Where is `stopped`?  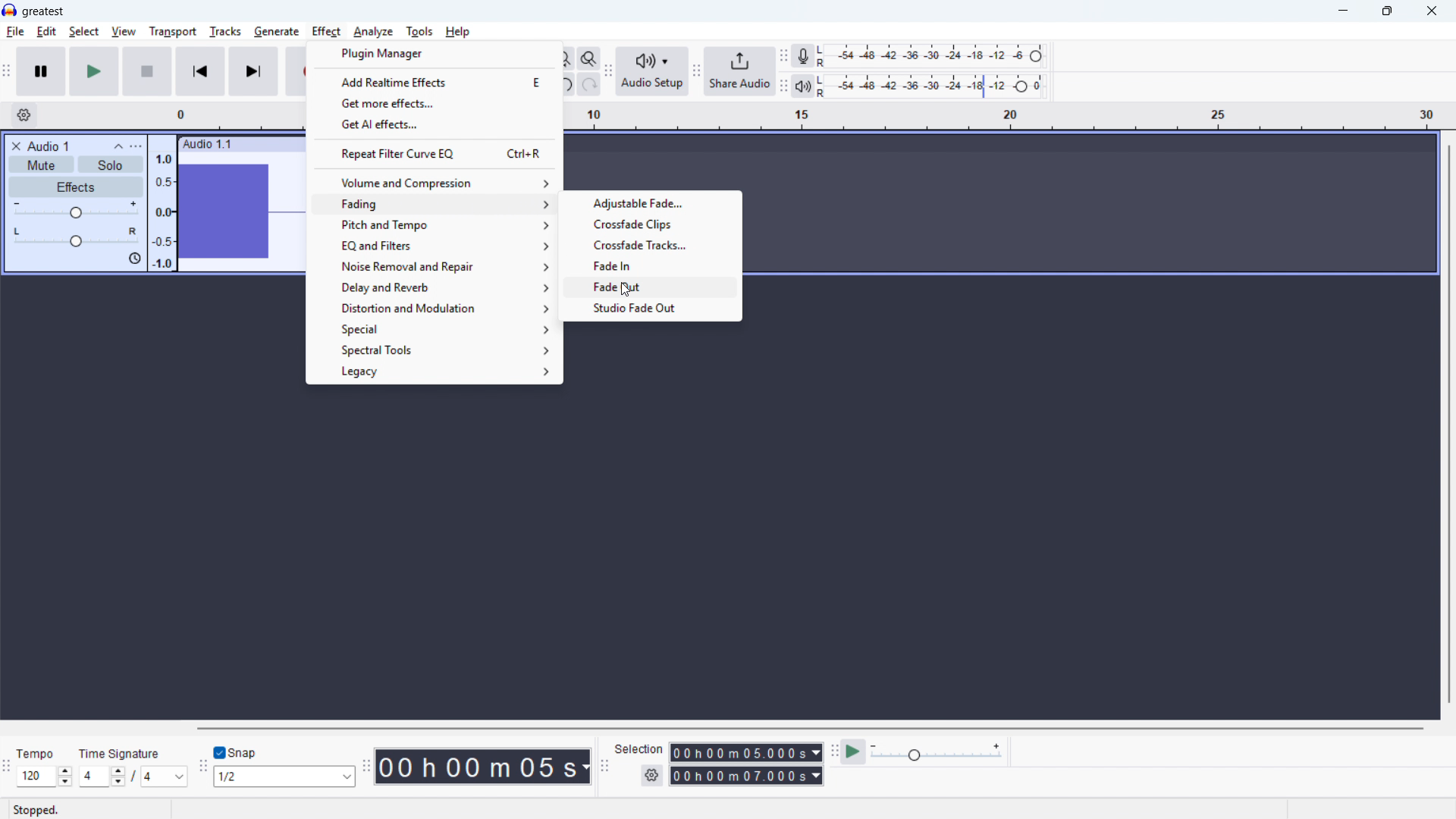 stopped is located at coordinates (36, 811).